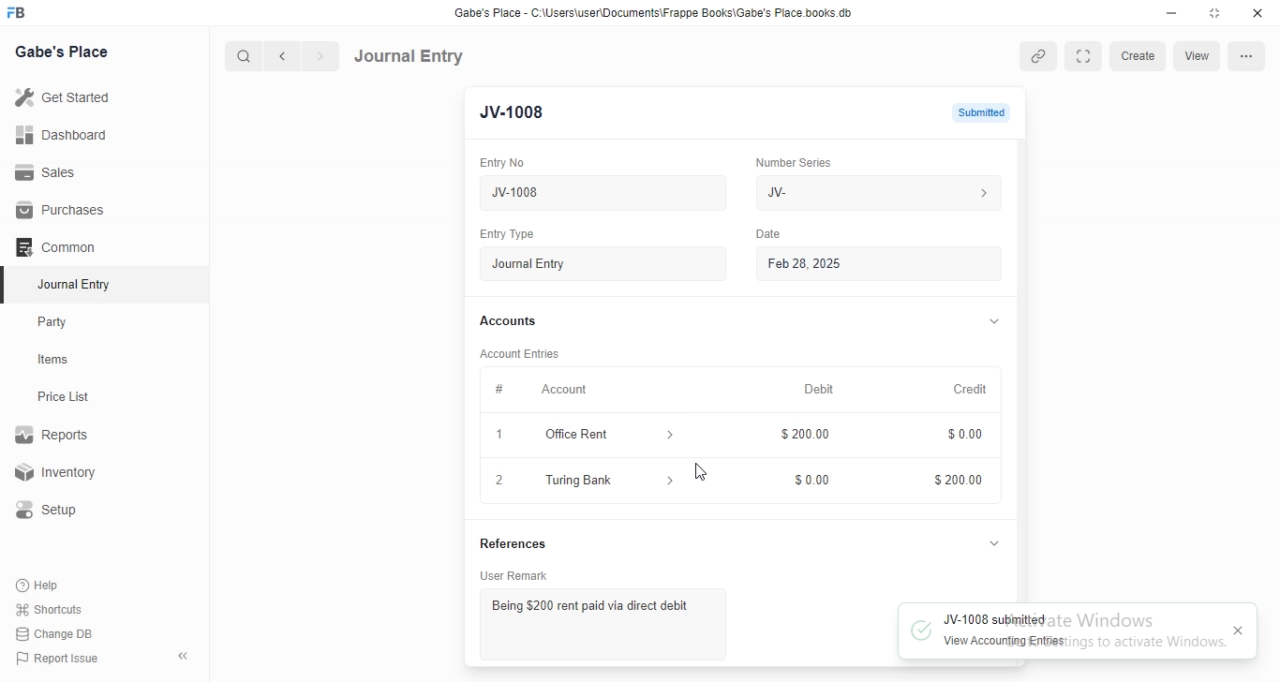 The height and width of the screenshot is (682, 1280). I want to click on close, so click(1258, 11).